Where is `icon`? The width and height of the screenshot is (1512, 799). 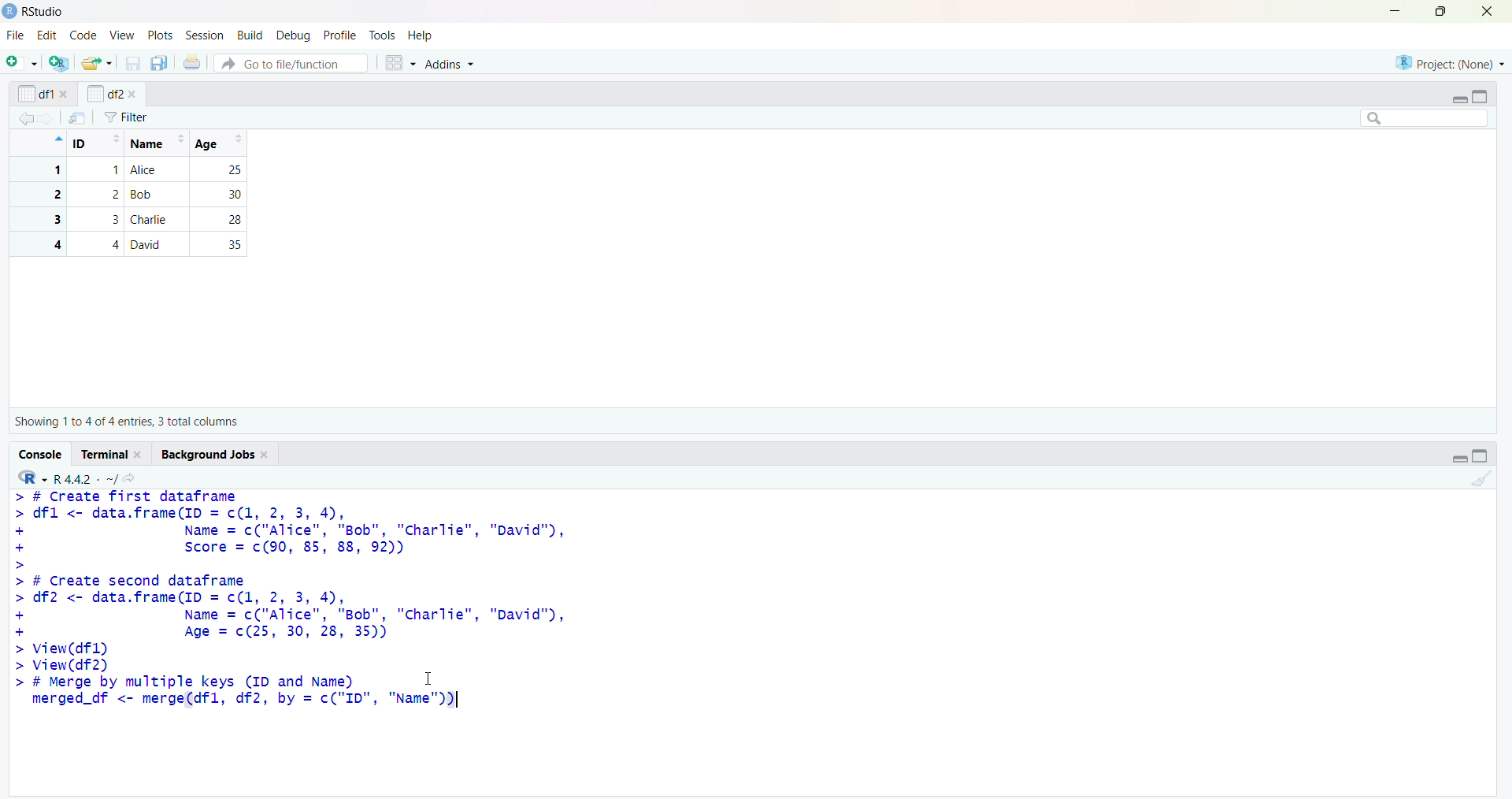
icon is located at coordinates (57, 139).